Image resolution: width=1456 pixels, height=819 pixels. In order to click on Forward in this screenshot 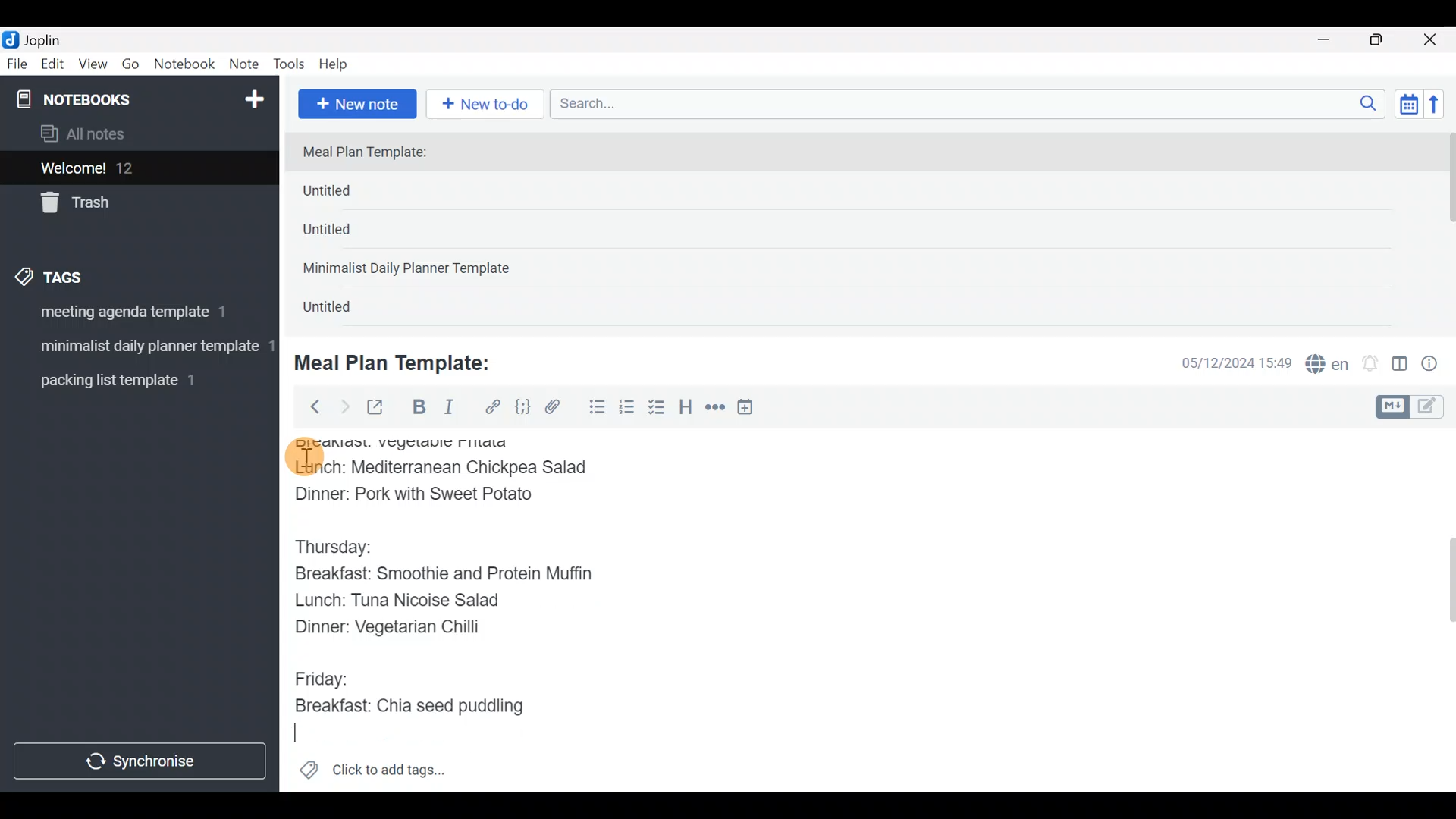, I will do `click(344, 406)`.